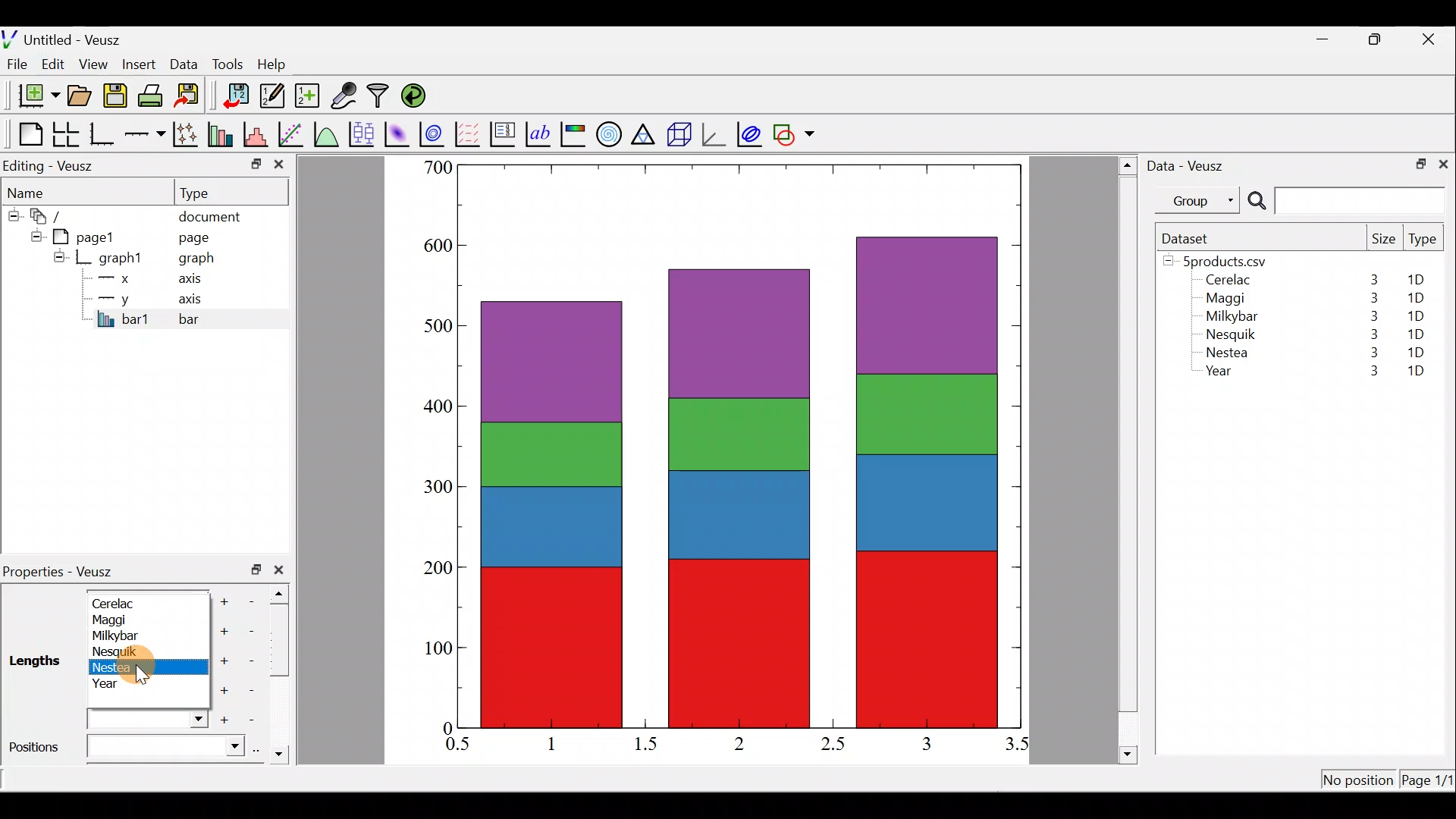 The width and height of the screenshot is (1456, 819). Describe the element at coordinates (1330, 38) in the screenshot. I see `minimize` at that location.